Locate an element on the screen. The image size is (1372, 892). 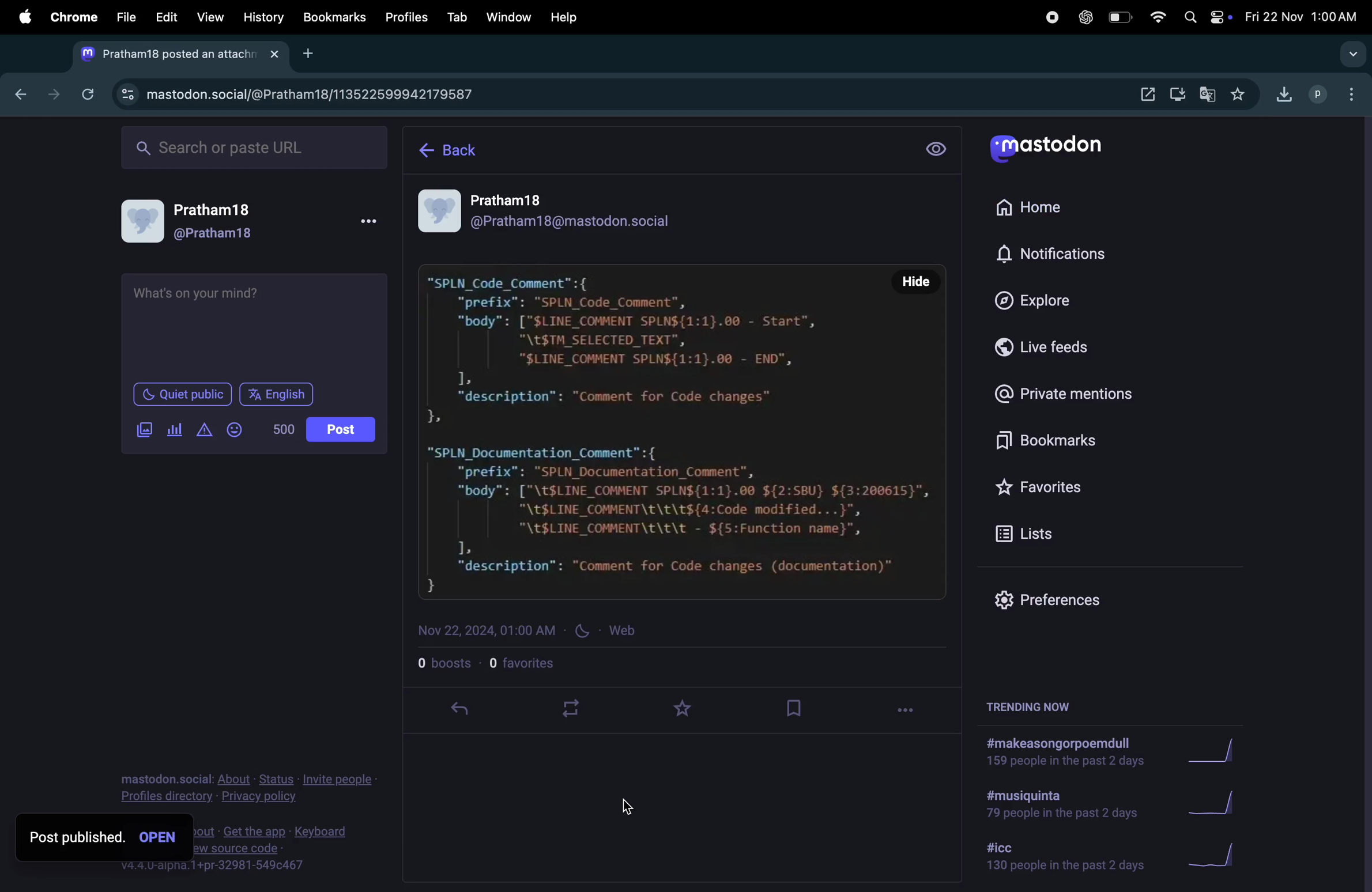
favourites is located at coordinates (1074, 485).